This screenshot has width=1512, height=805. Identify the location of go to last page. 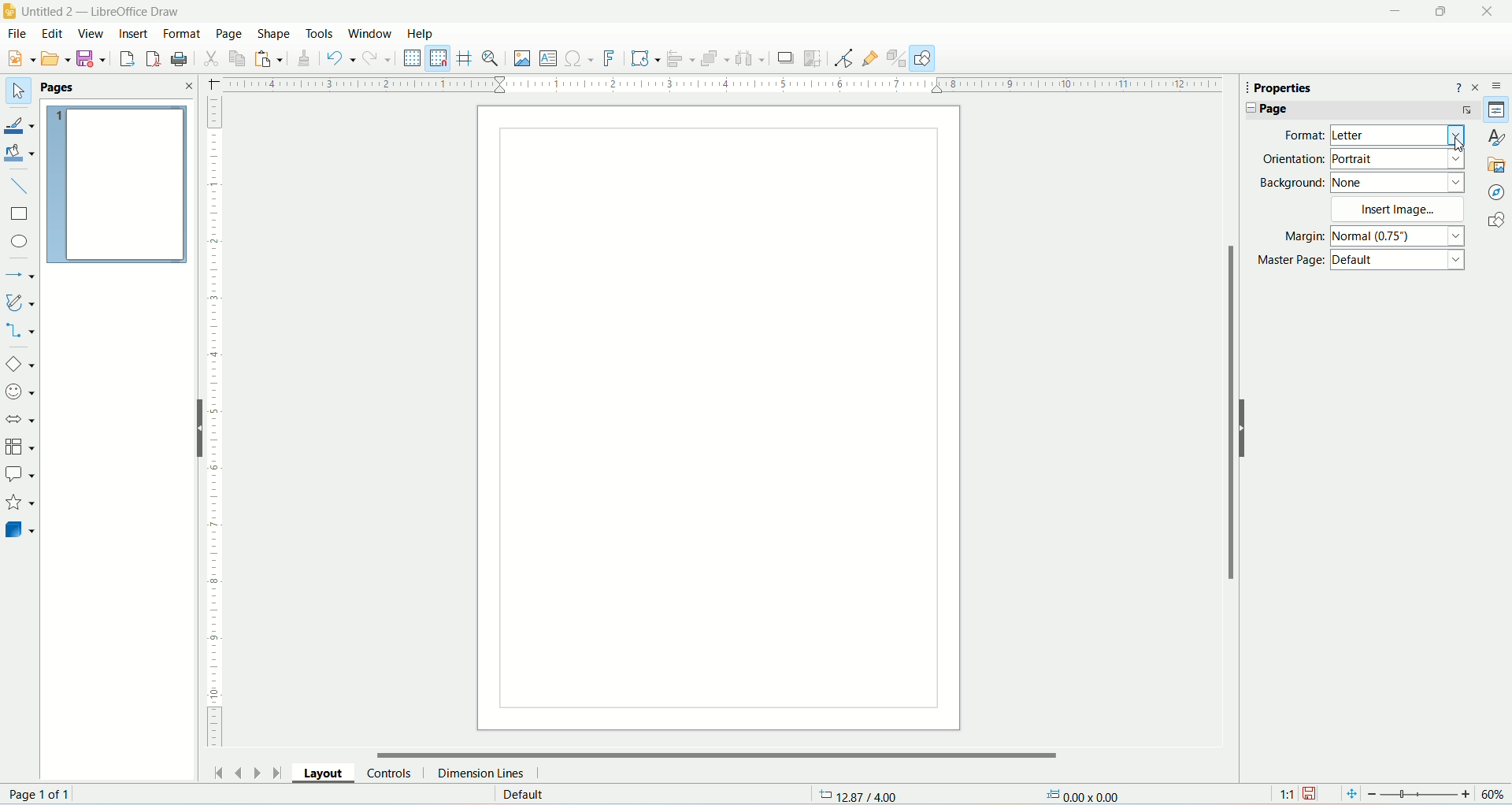
(275, 771).